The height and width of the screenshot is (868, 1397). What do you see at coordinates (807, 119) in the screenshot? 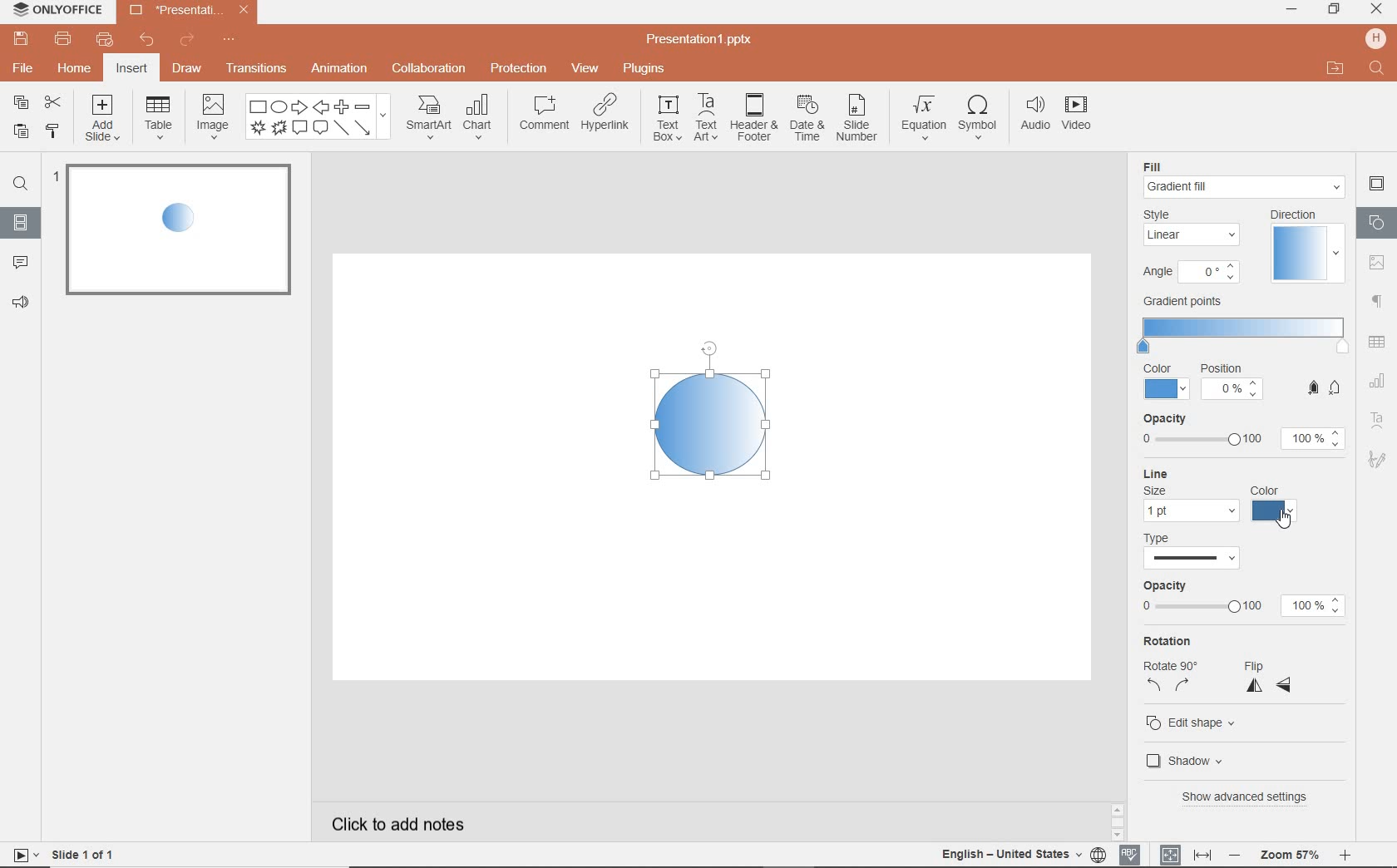
I see `date & time` at bounding box center [807, 119].